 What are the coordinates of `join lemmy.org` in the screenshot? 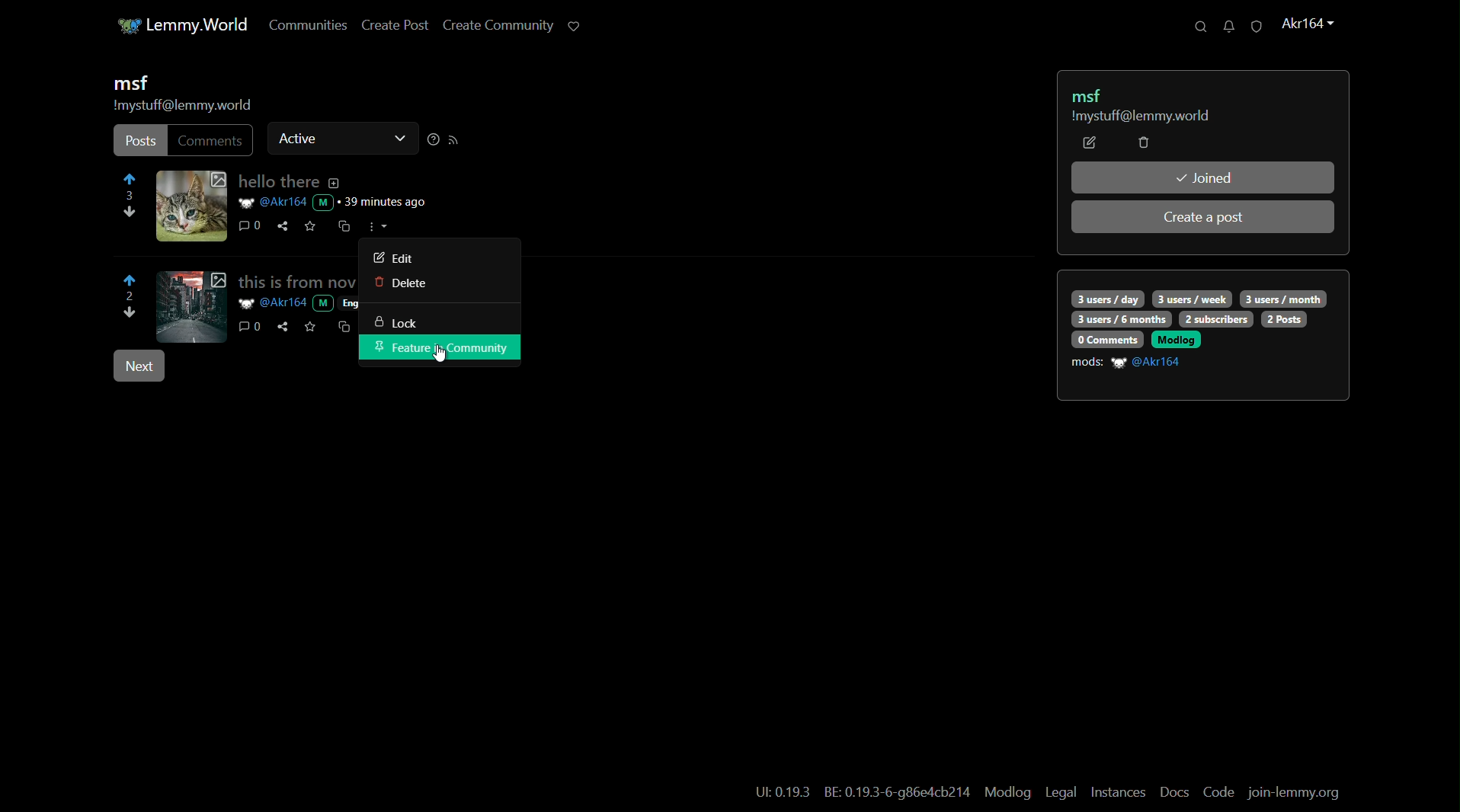 It's located at (1295, 794).